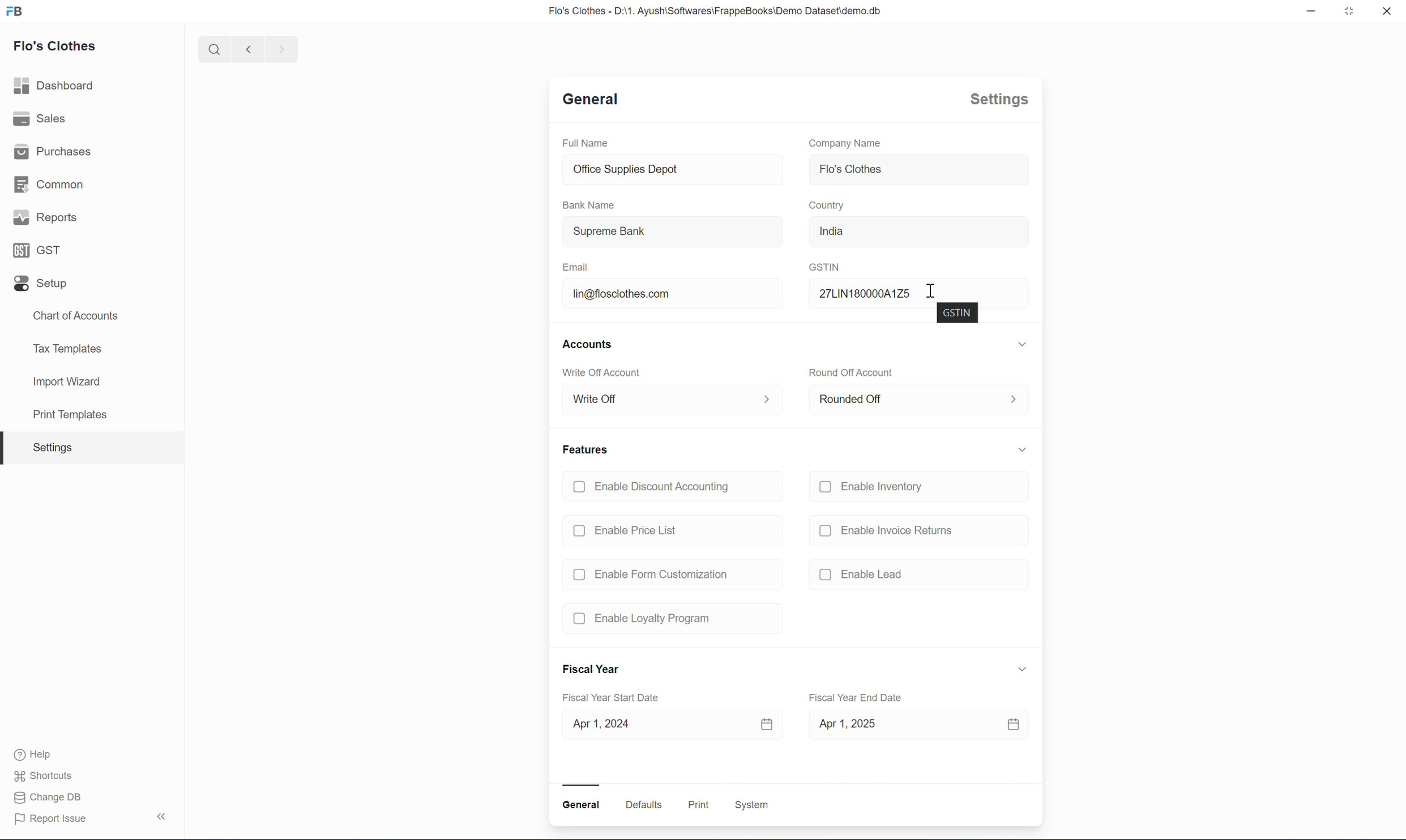  Describe the element at coordinates (653, 725) in the screenshot. I see `Apr 1, 2024` at that location.